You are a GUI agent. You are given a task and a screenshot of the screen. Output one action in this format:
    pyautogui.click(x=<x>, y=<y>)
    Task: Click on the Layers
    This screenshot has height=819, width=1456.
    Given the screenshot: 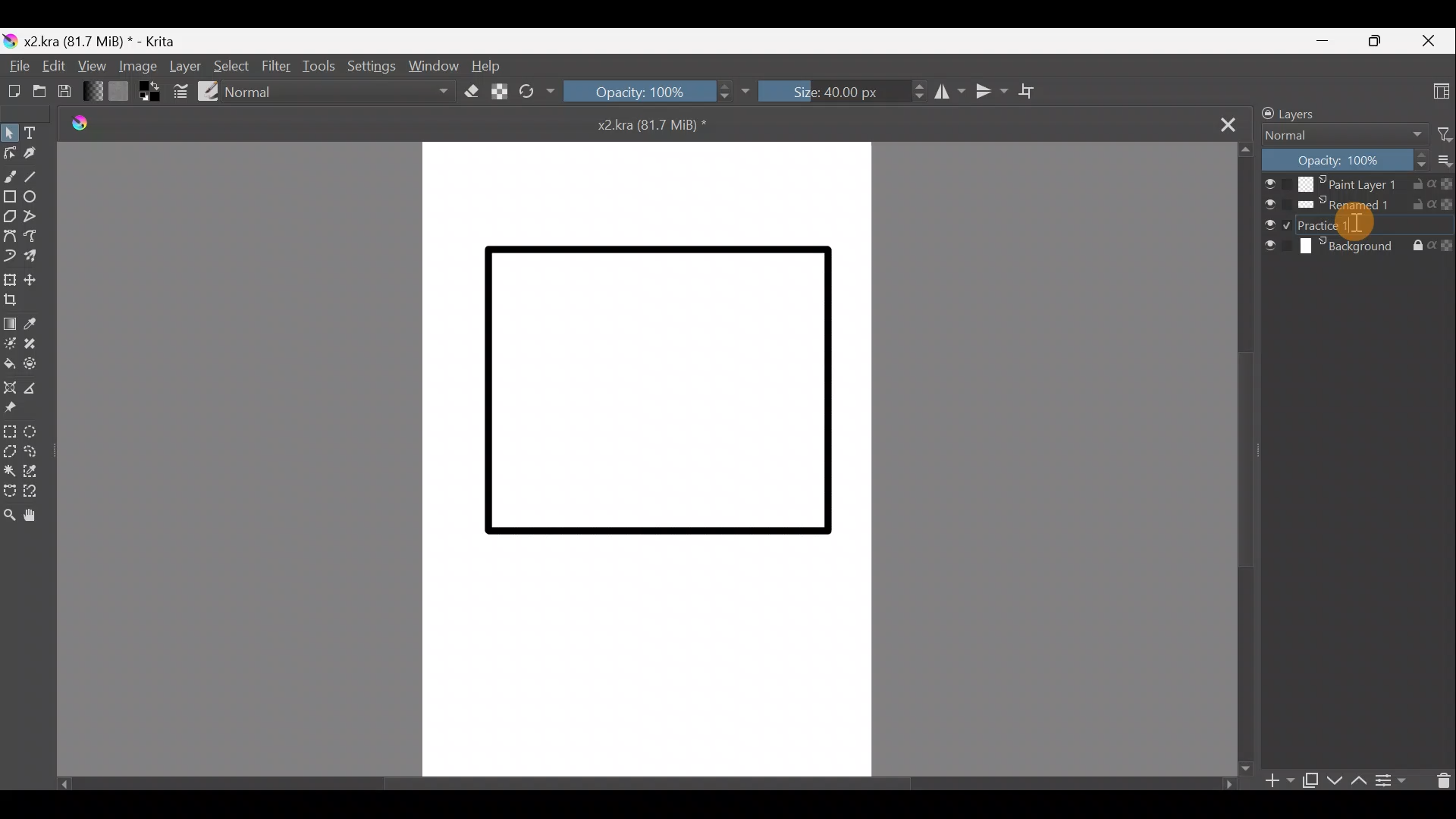 What is the action you would take?
    pyautogui.click(x=1314, y=114)
    